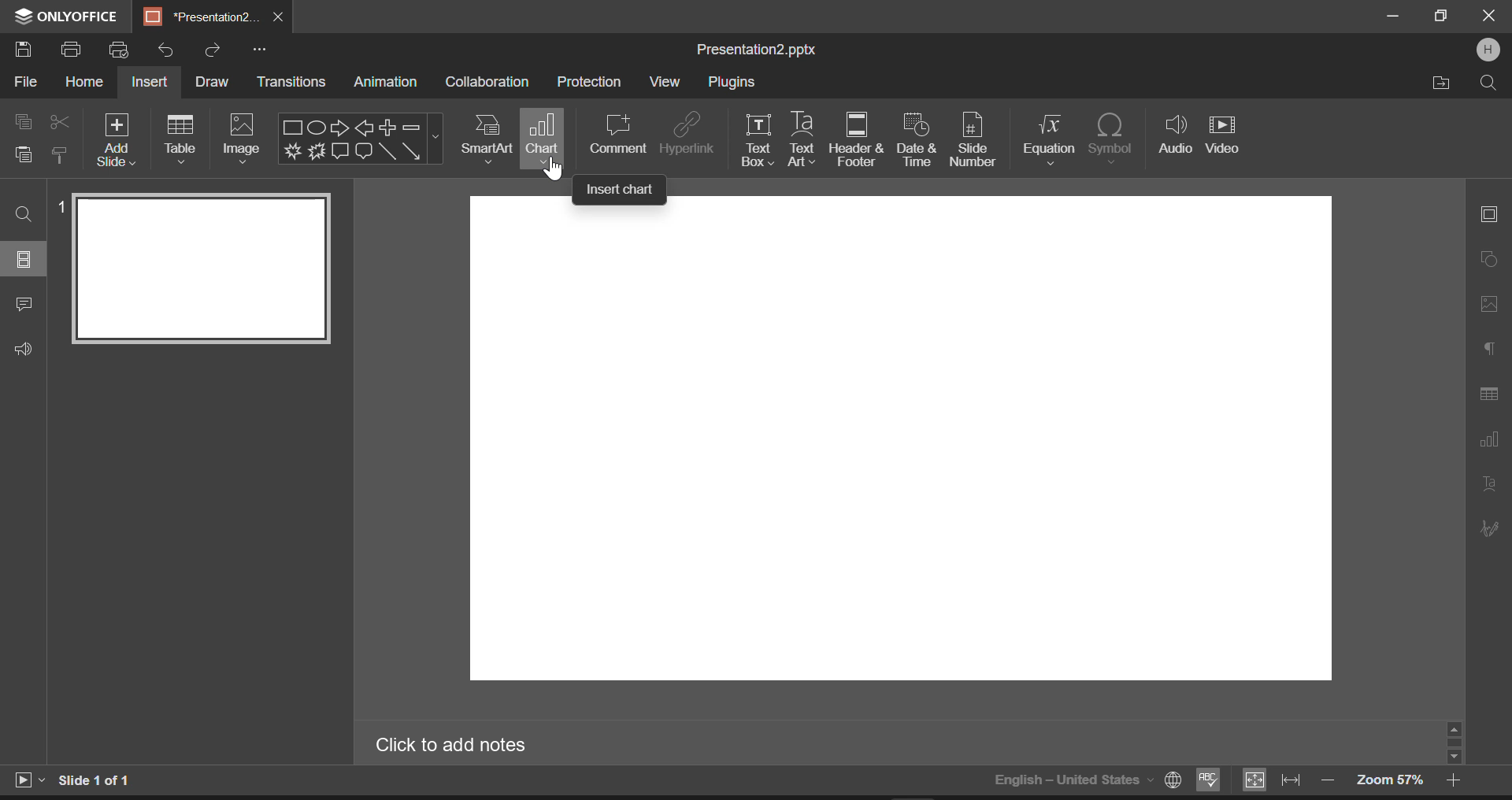 Image resolution: width=1512 pixels, height=800 pixels. I want to click on Redo, so click(213, 48).